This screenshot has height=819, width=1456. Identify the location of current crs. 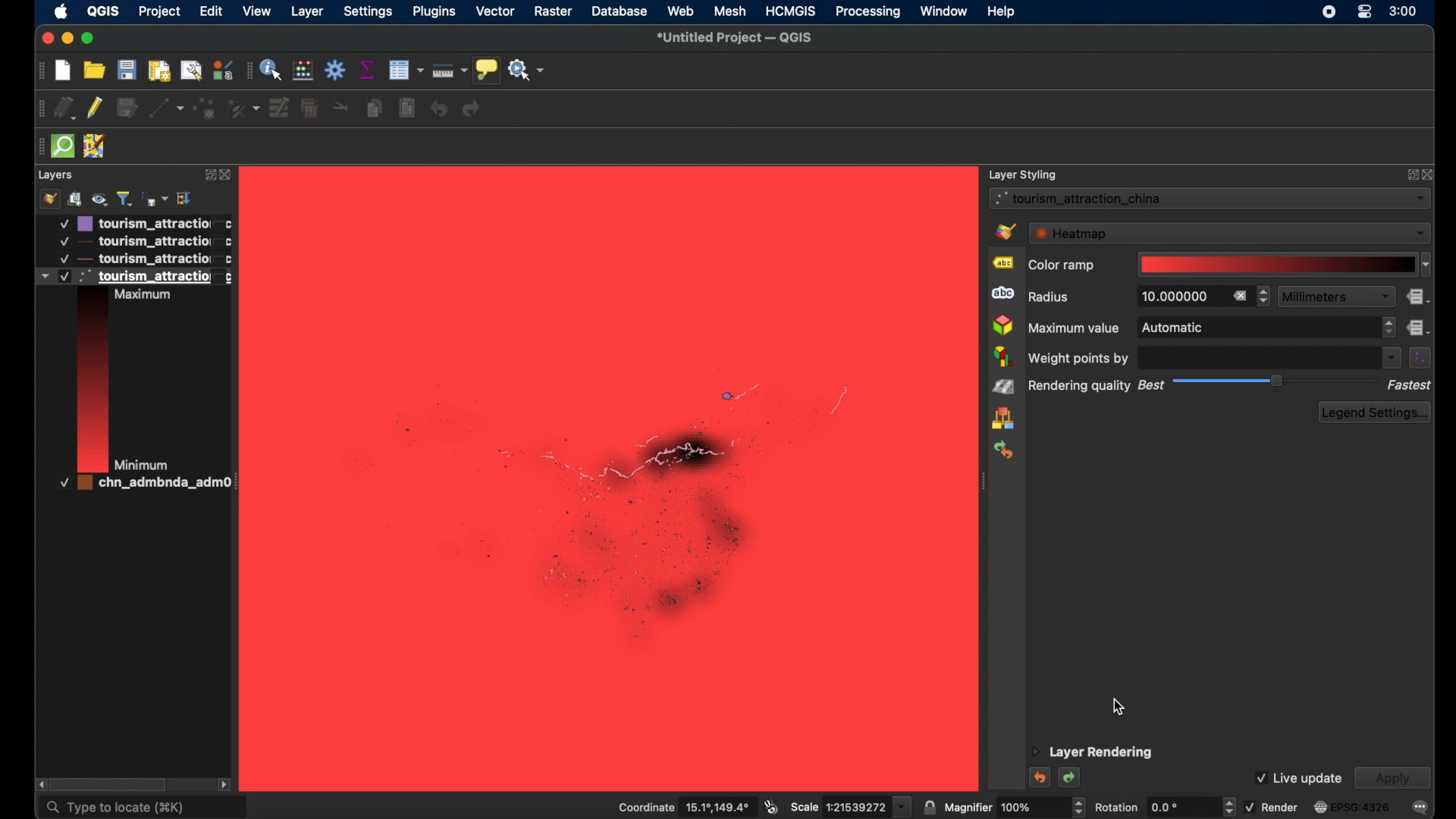
(1352, 807).